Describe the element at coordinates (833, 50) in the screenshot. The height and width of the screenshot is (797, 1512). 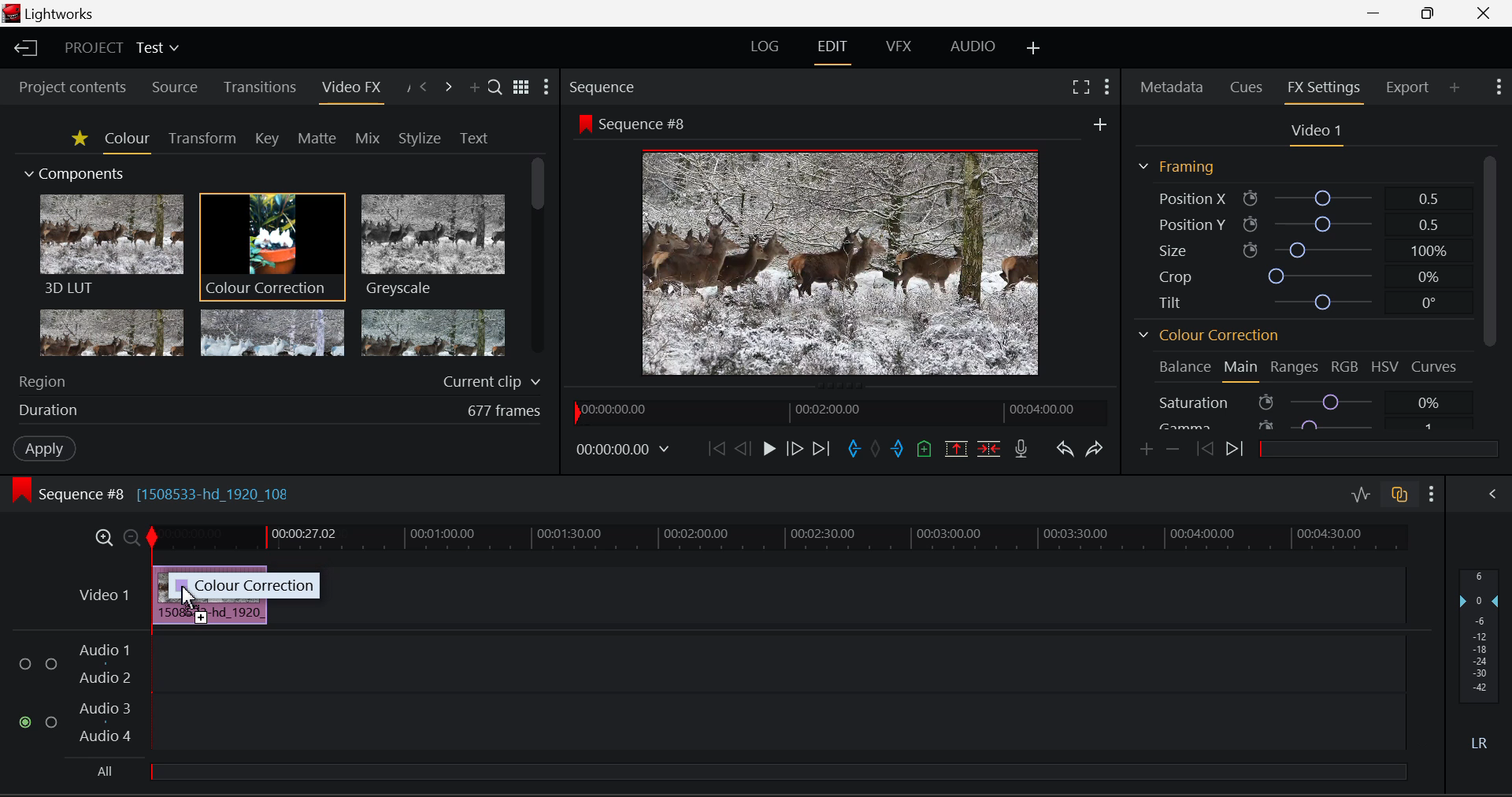
I see `EDIT Layout Open` at that location.